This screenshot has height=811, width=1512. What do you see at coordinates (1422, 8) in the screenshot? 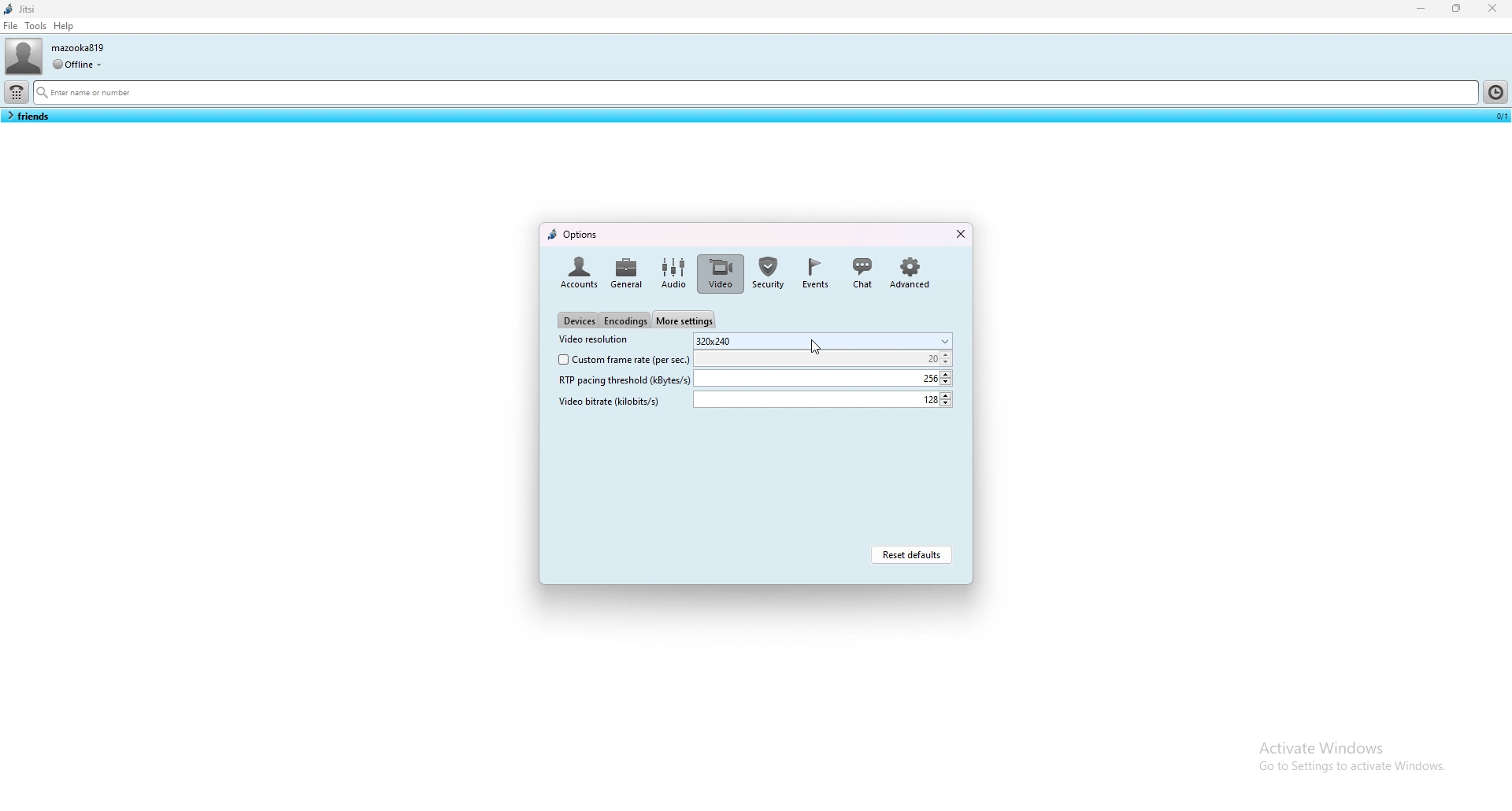
I see `minimize` at bounding box center [1422, 8].